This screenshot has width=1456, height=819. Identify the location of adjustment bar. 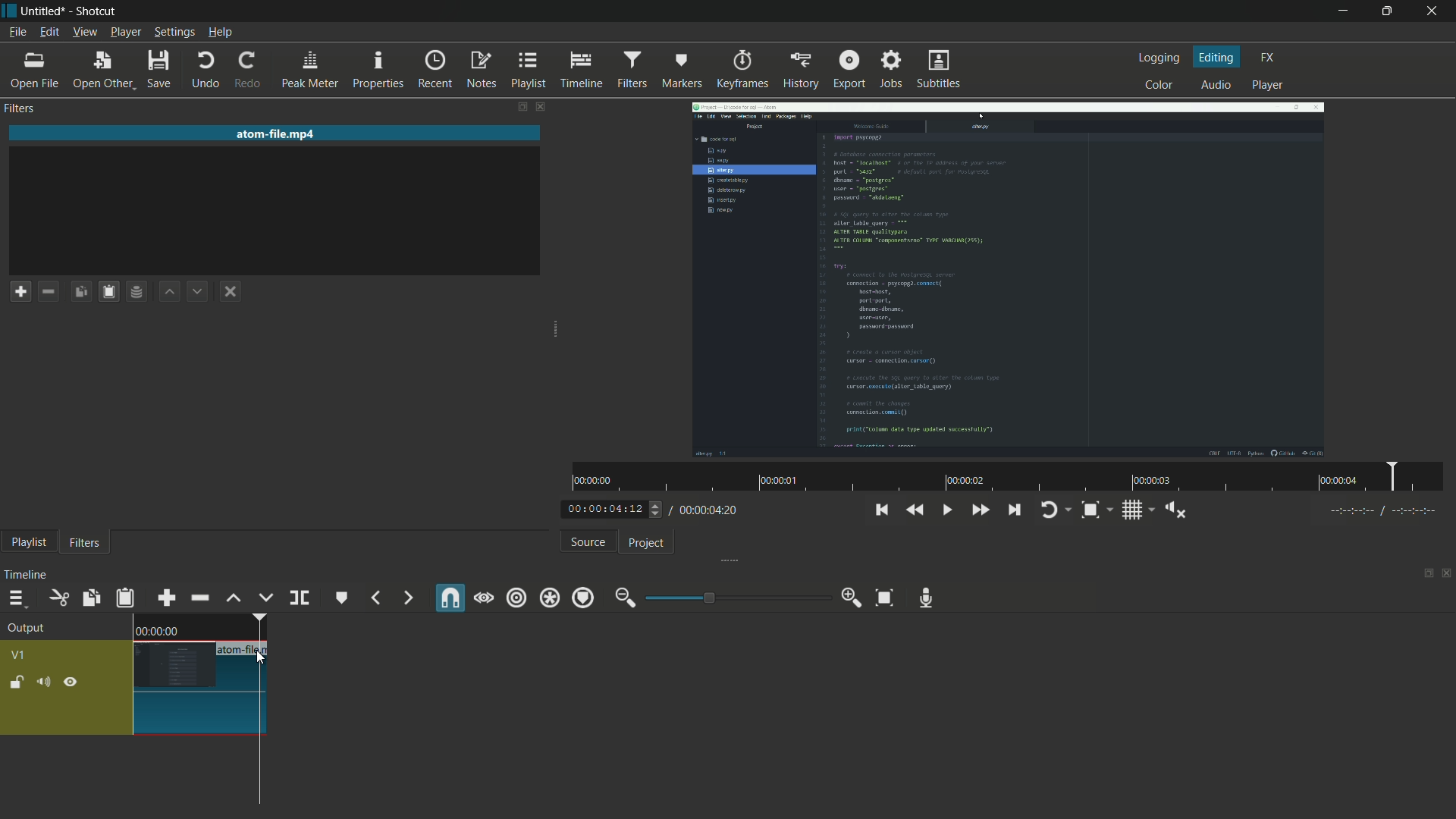
(734, 598).